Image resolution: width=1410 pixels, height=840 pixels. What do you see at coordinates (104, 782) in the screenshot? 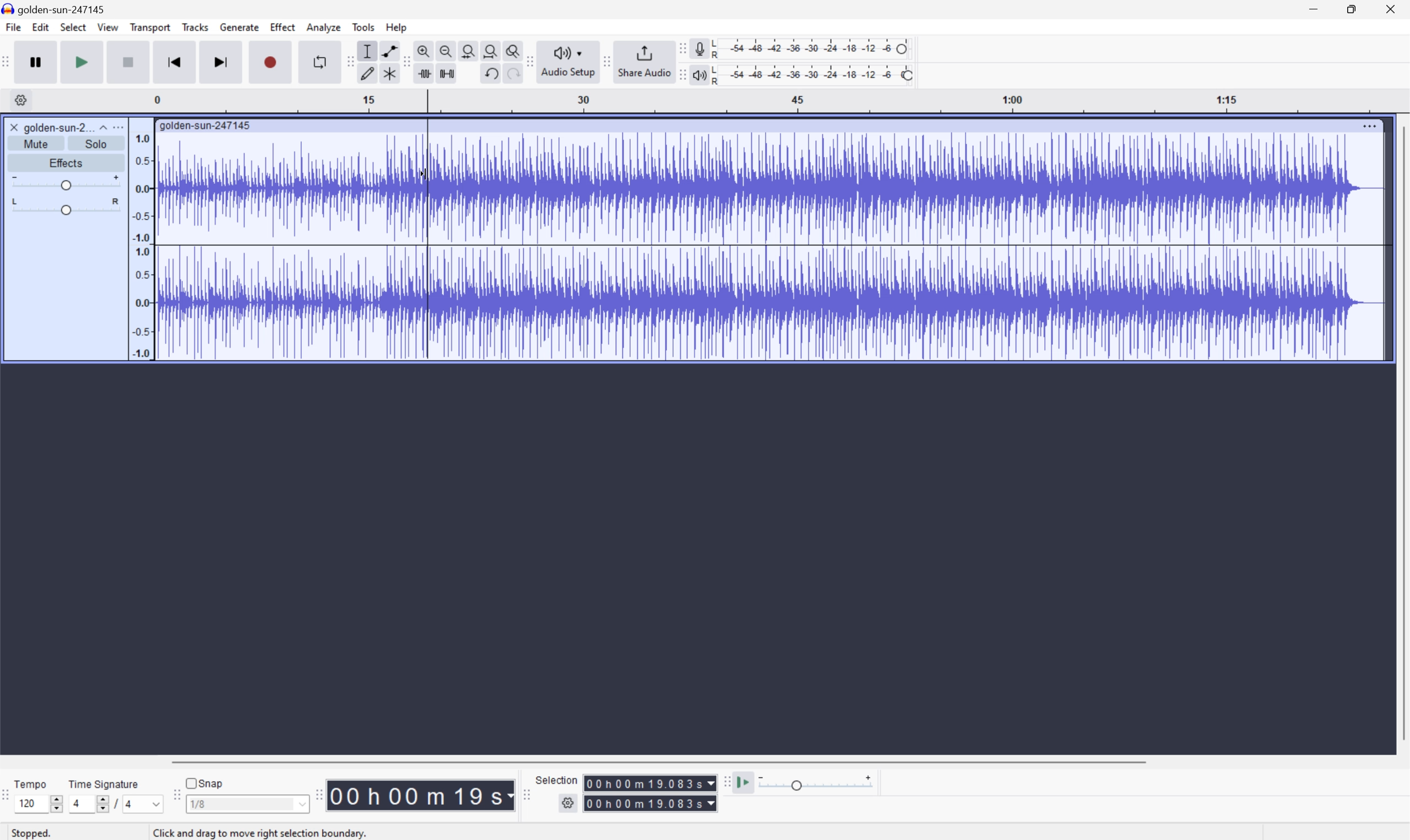
I see `Time signature` at bounding box center [104, 782].